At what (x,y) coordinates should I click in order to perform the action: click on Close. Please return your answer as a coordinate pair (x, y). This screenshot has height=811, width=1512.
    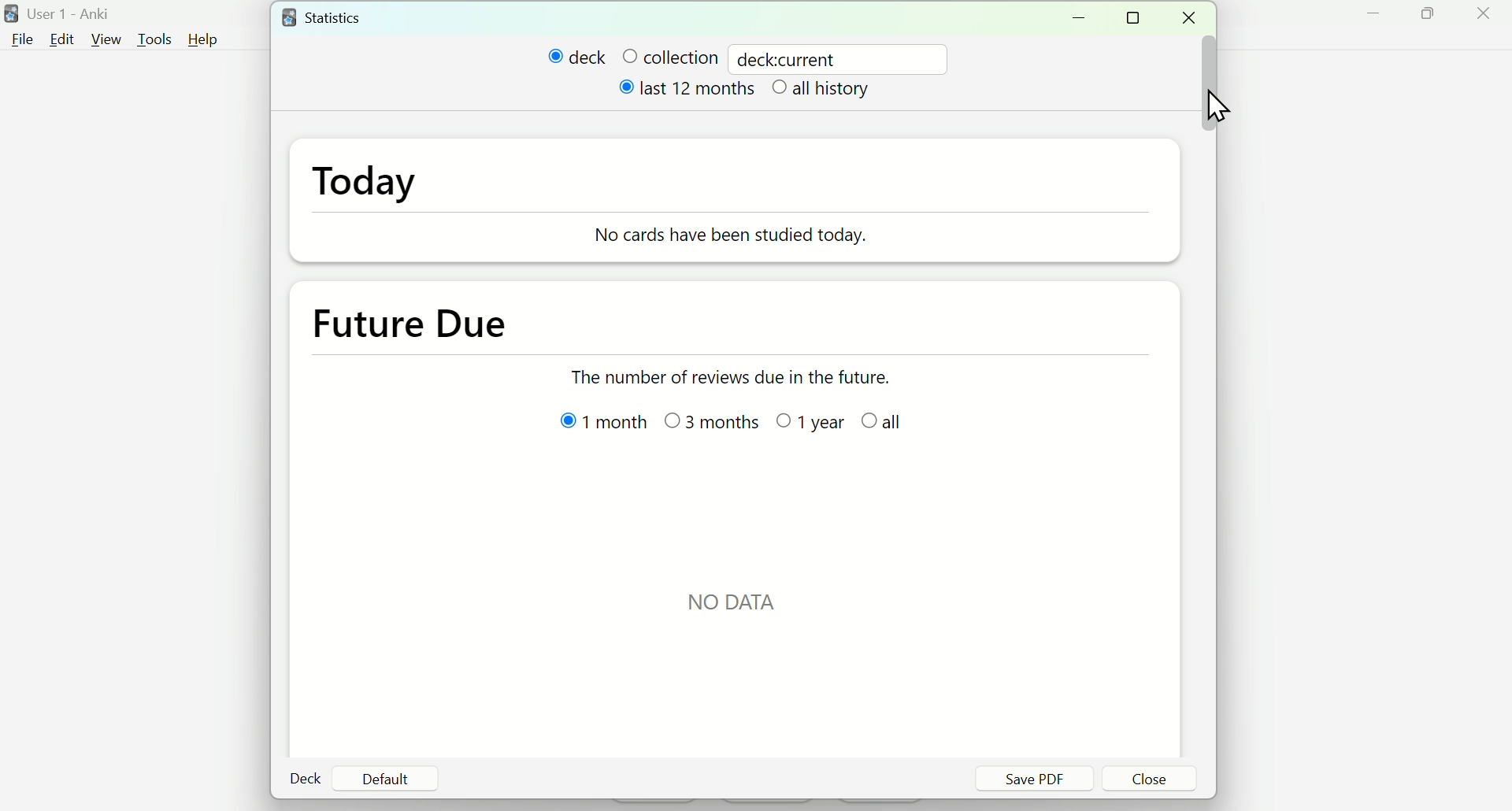
    Looking at the image, I should click on (1151, 780).